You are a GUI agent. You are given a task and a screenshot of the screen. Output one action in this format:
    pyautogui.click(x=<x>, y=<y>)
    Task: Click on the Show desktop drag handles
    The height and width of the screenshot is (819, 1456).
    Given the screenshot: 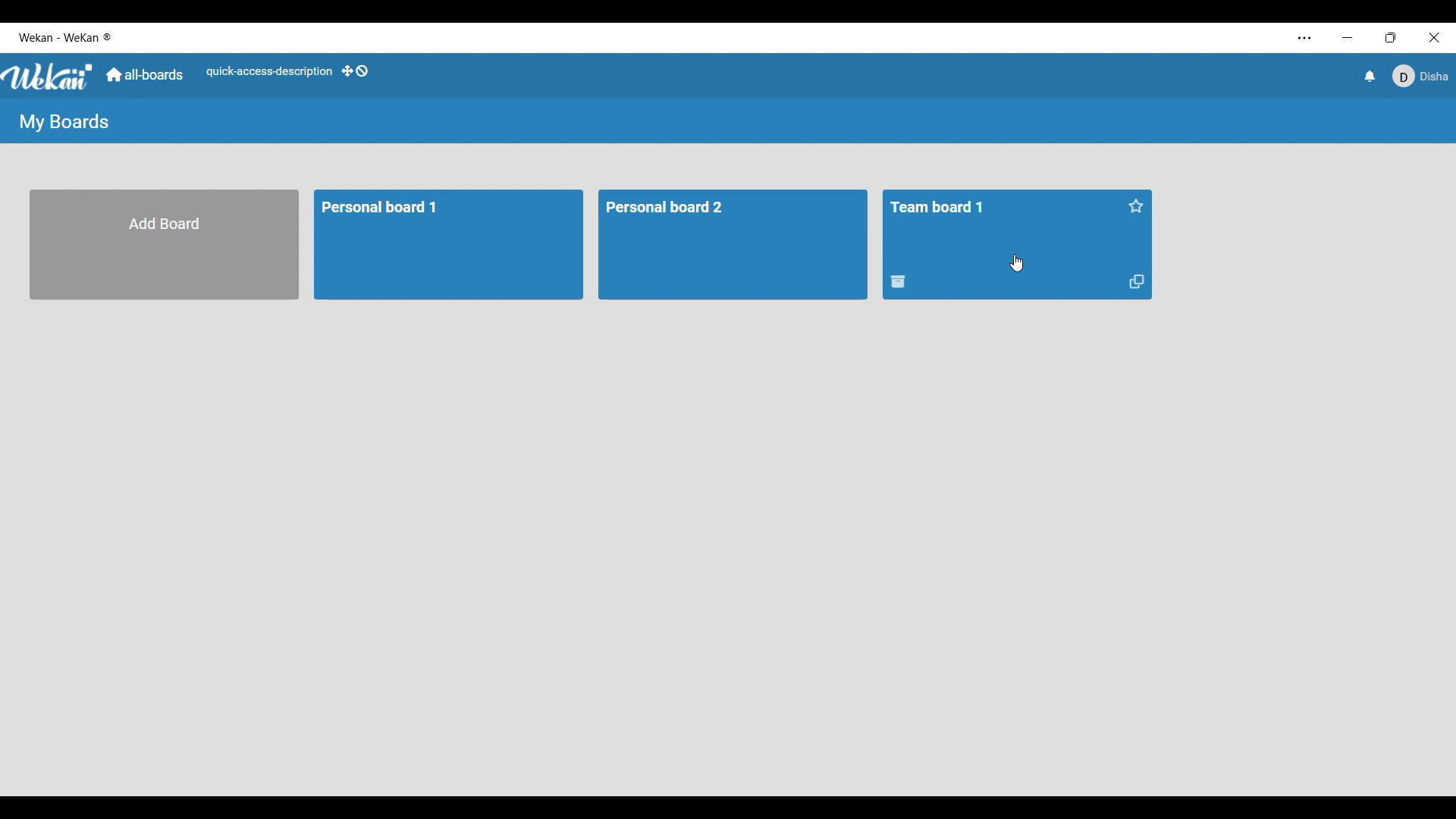 What is the action you would take?
    pyautogui.click(x=355, y=71)
    